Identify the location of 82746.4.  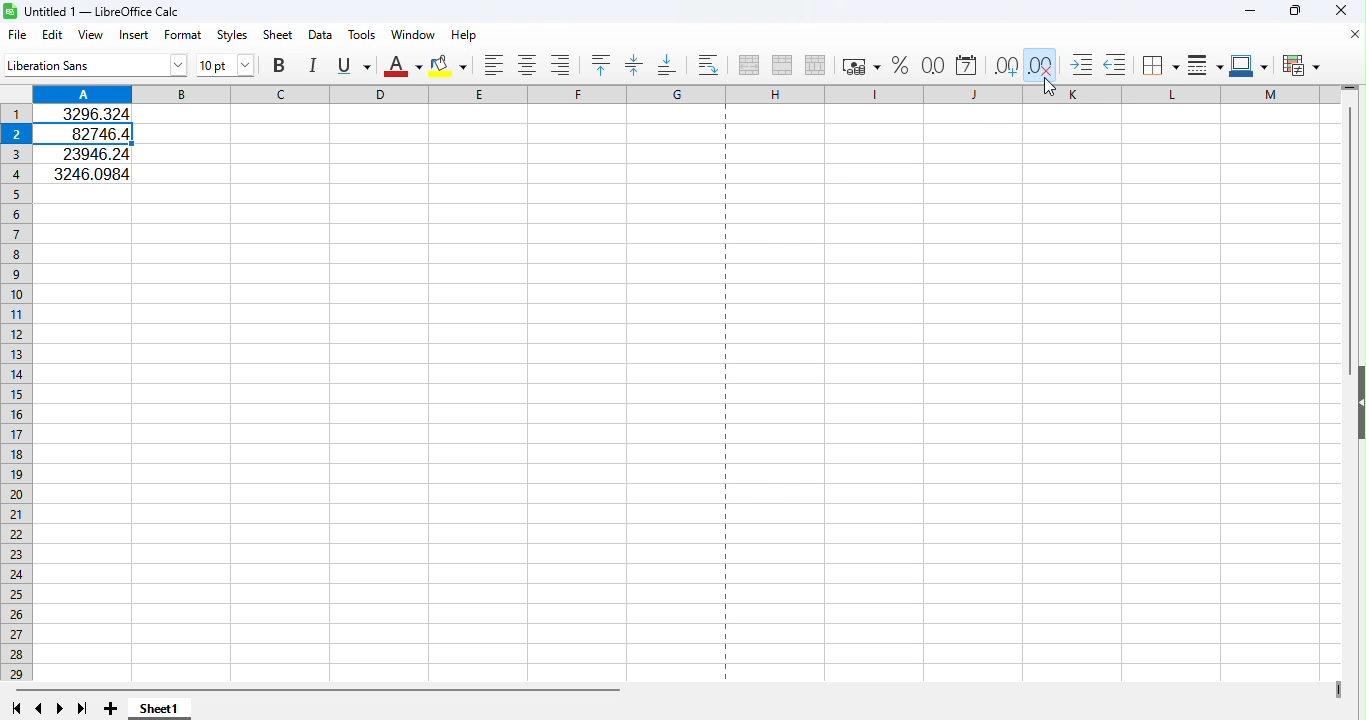
(92, 134).